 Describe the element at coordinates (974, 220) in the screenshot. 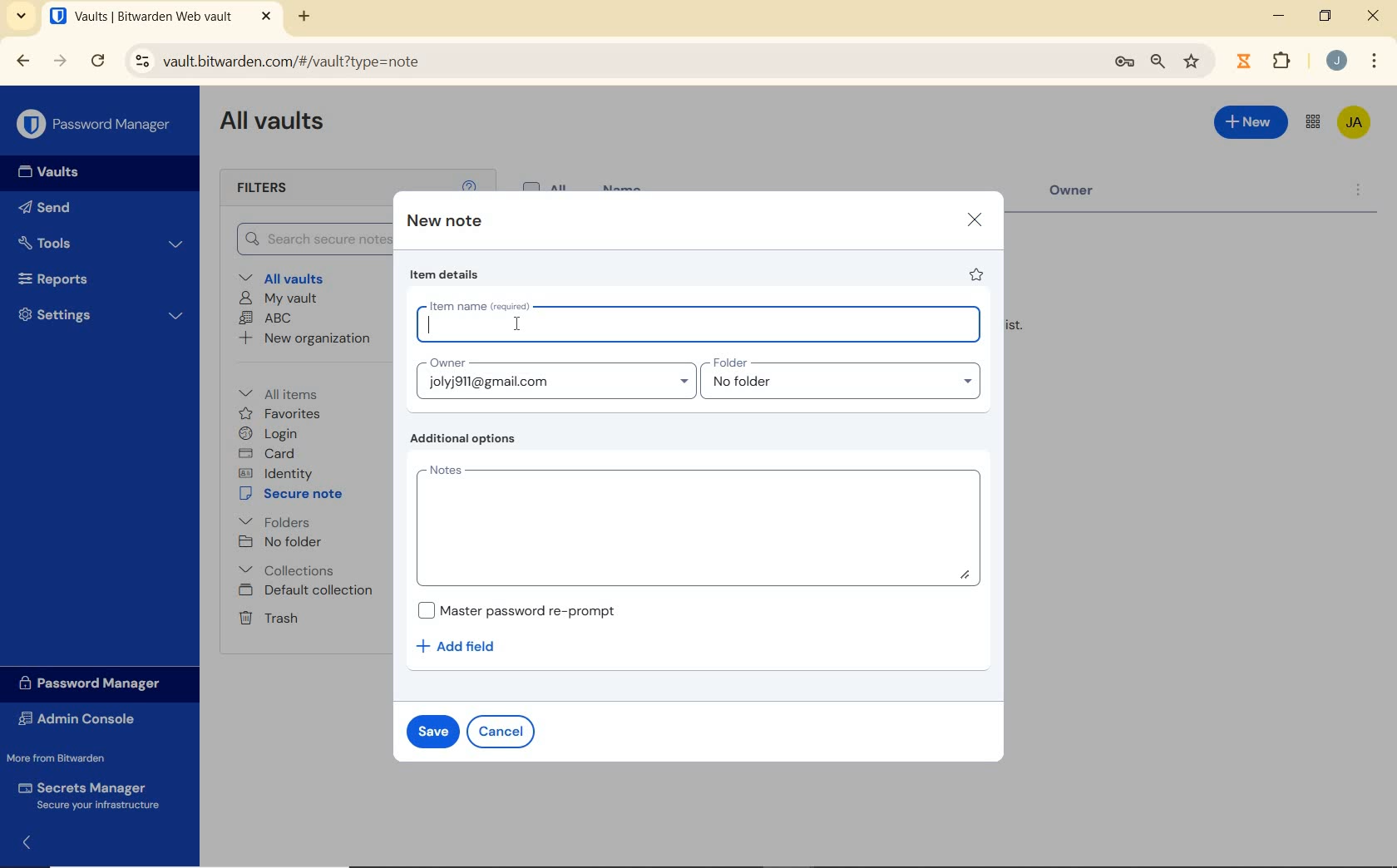

I see `close` at that location.